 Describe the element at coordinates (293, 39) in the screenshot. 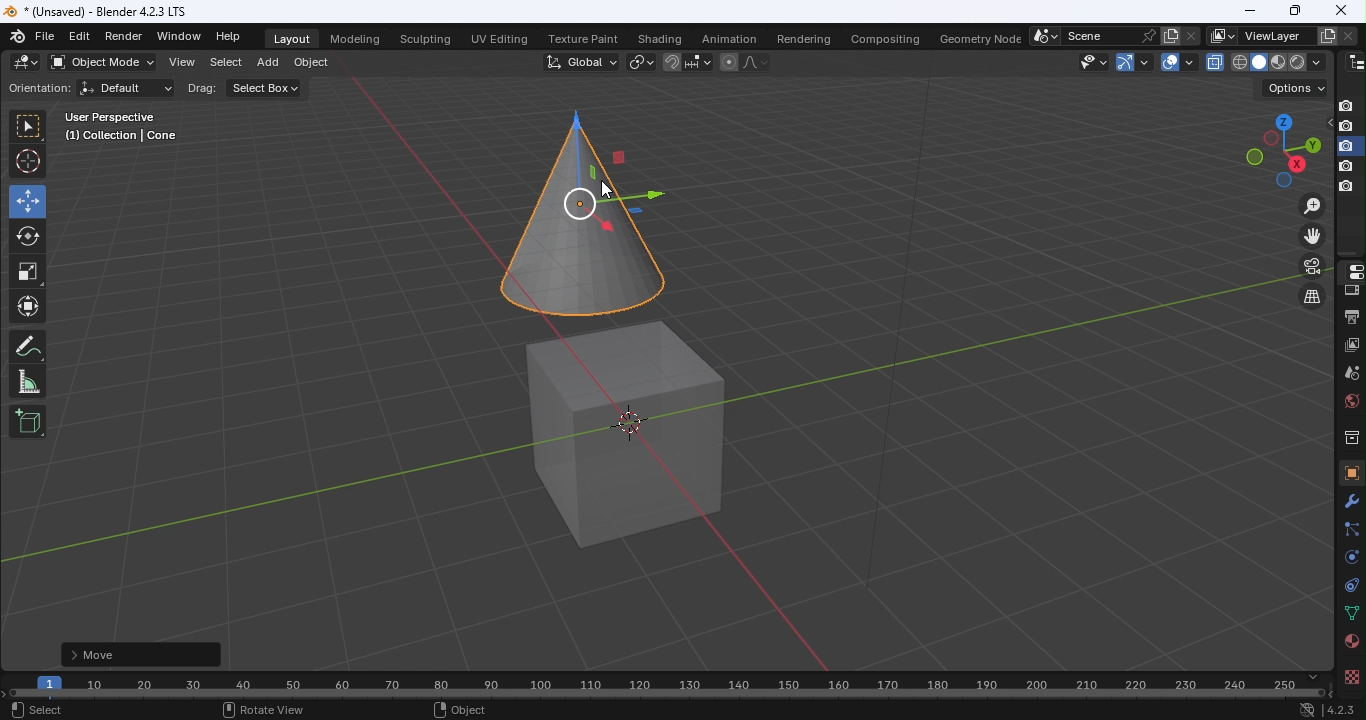

I see `Layout` at that location.